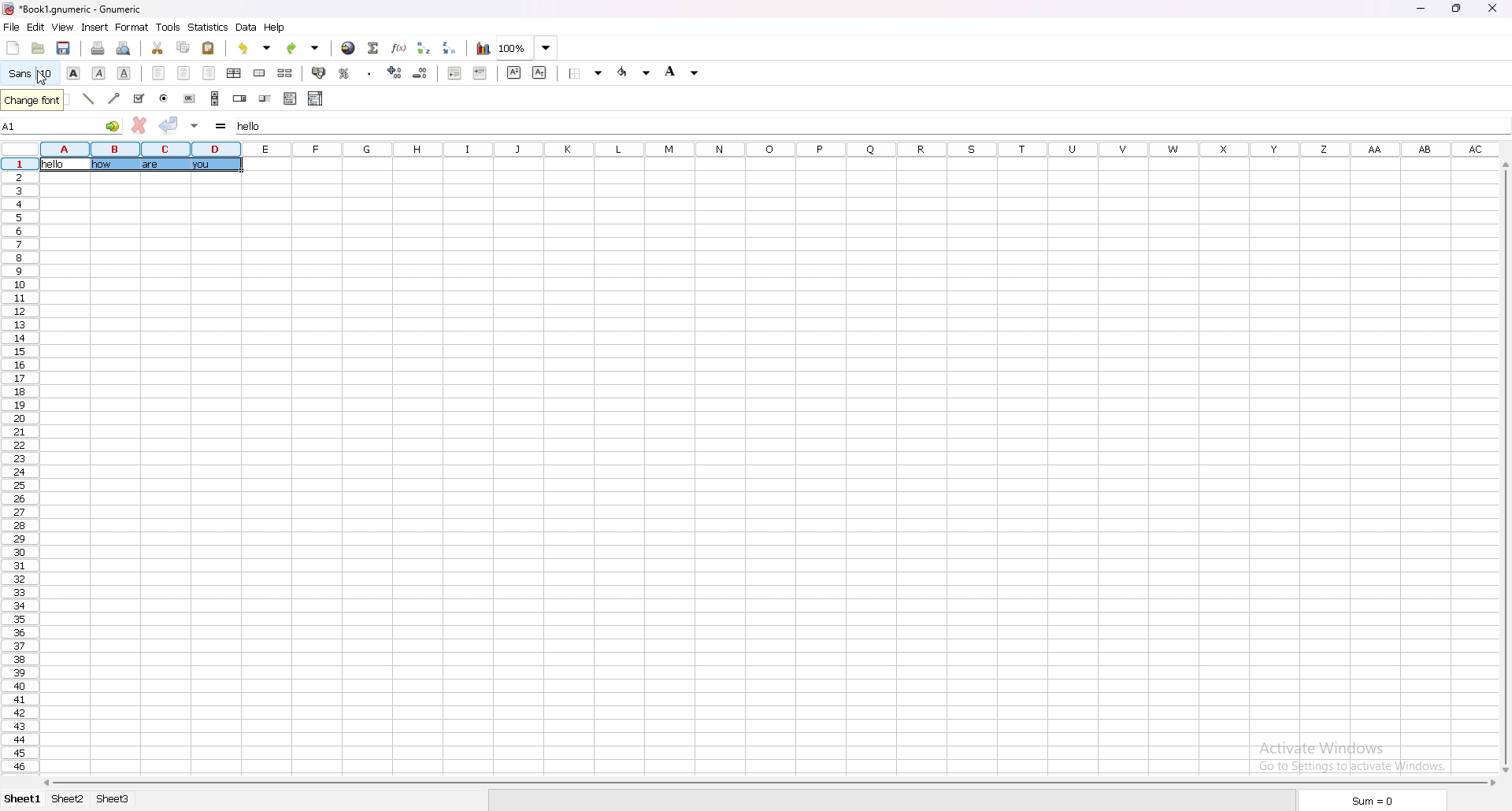 Image resolution: width=1512 pixels, height=811 pixels. I want to click on spin button, so click(239, 98).